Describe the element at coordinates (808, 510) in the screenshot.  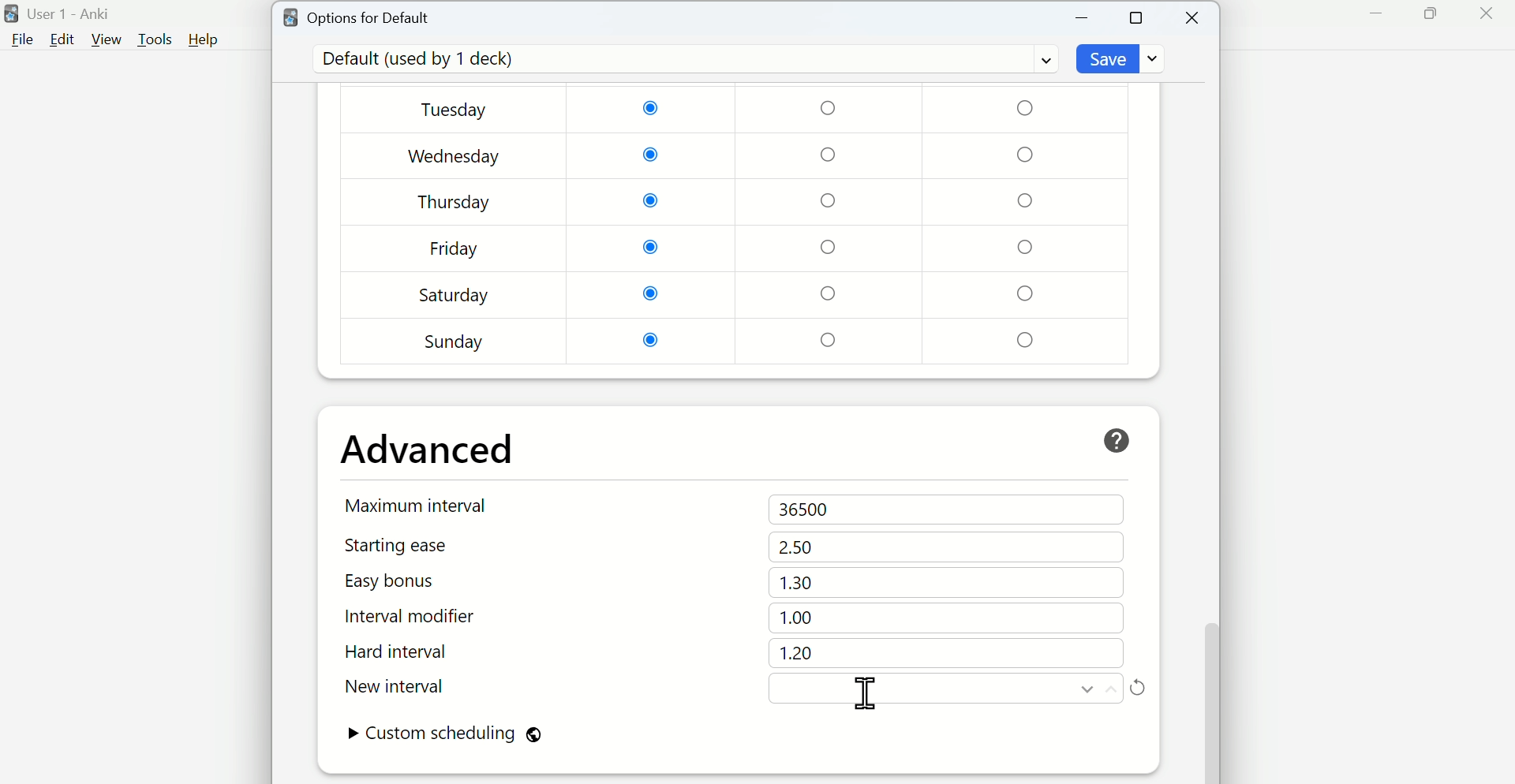
I see `36500` at that location.